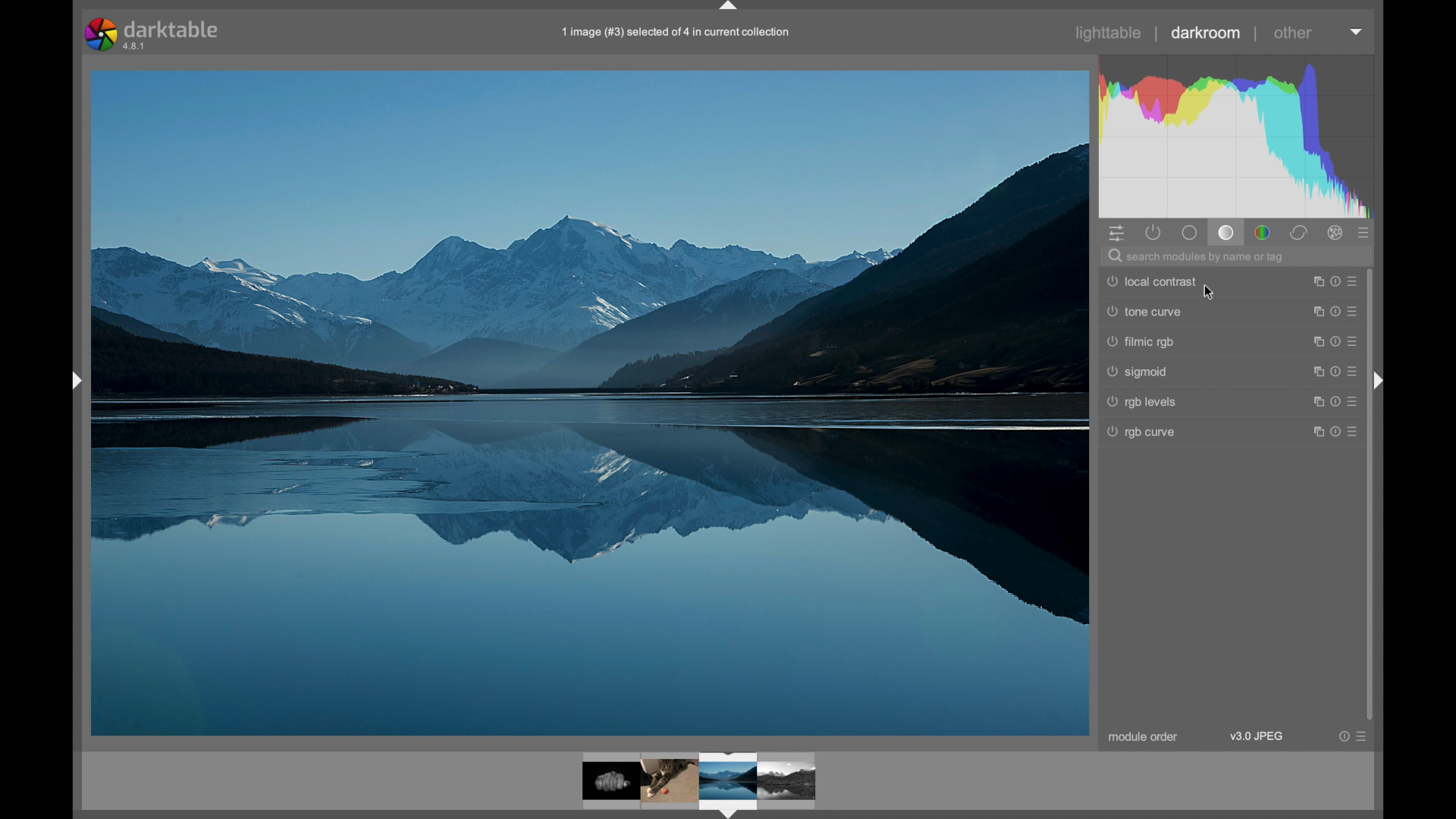  What do you see at coordinates (675, 33) in the screenshot?
I see `filename` at bounding box center [675, 33].